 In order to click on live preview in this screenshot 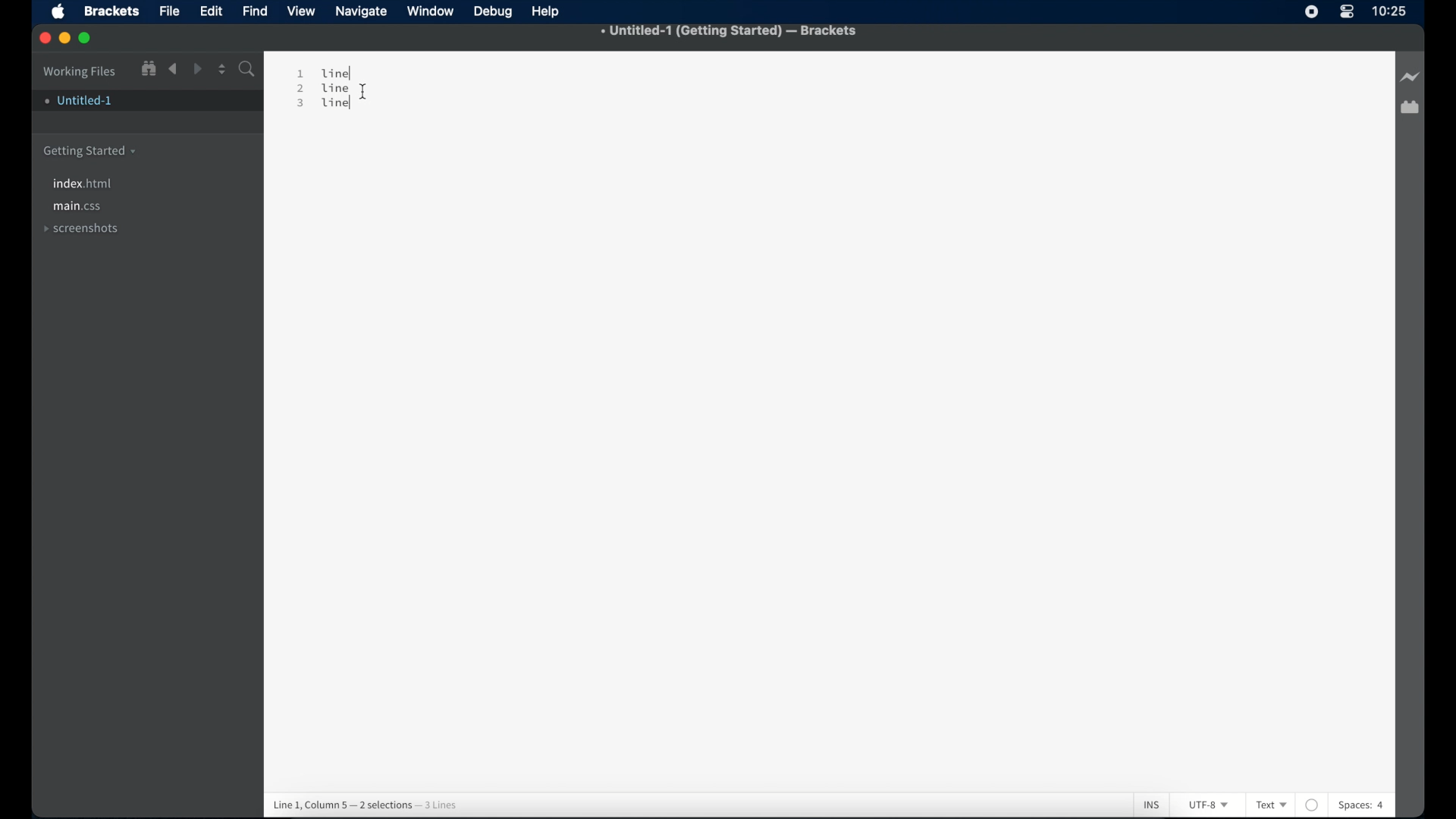, I will do `click(1408, 75)`.